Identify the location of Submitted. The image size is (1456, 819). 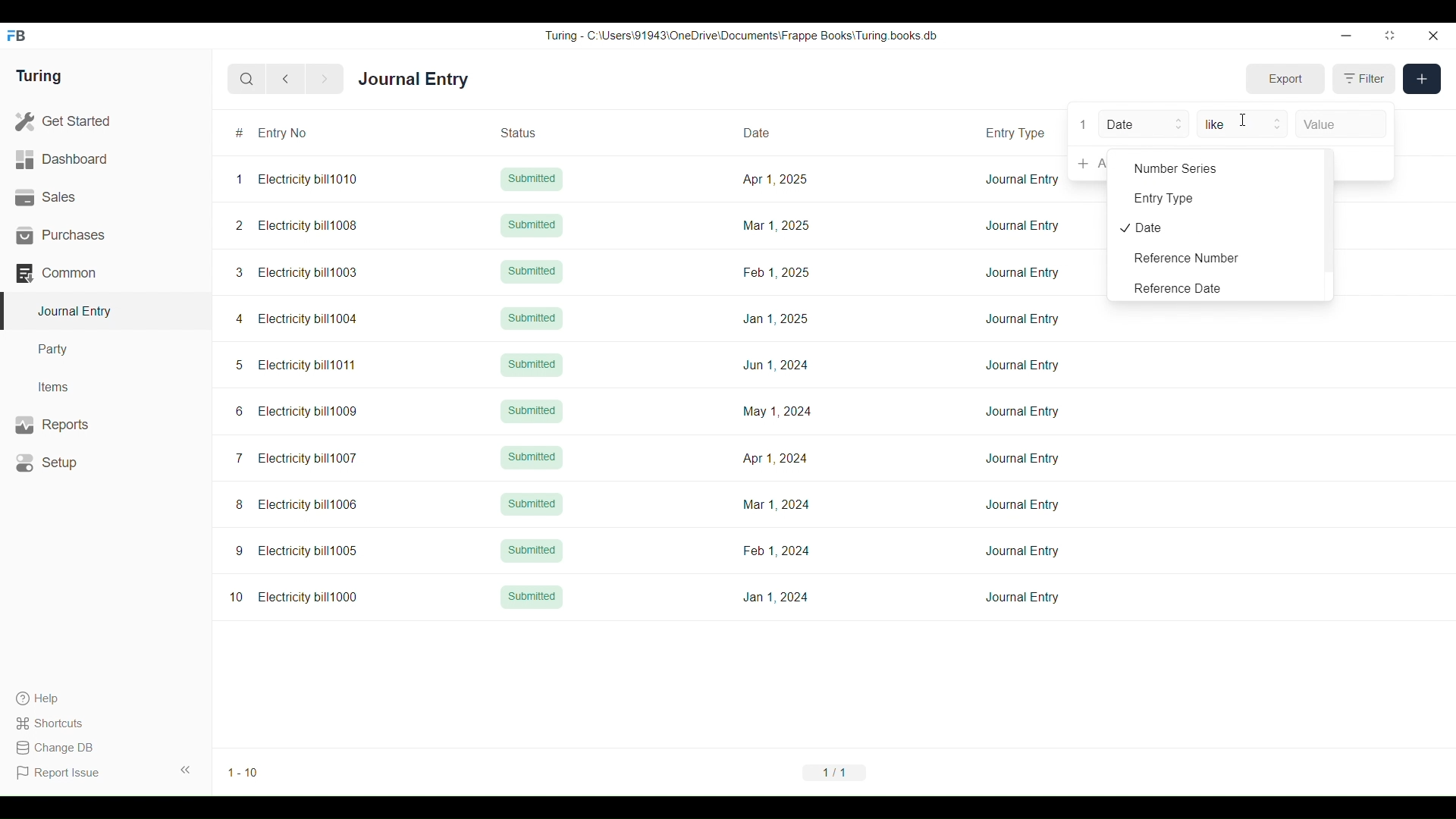
(532, 596).